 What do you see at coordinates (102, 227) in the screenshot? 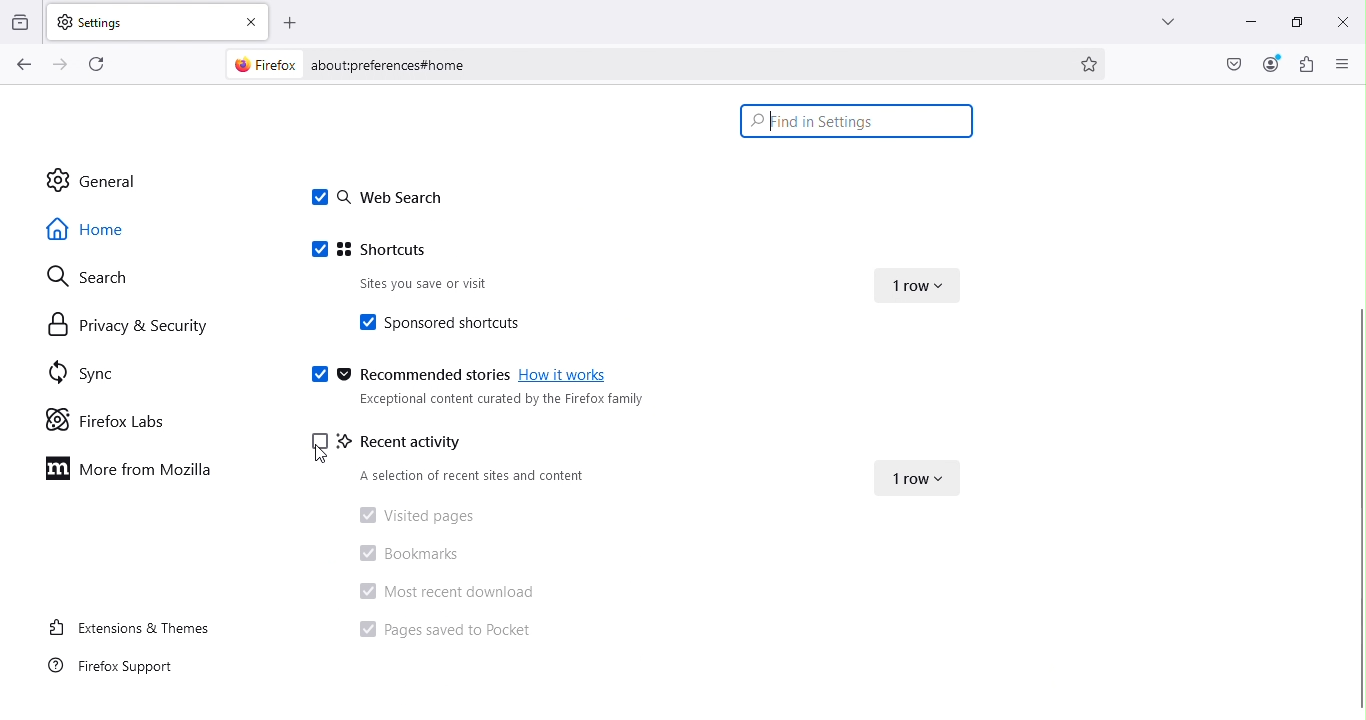
I see `Home` at bounding box center [102, 227].